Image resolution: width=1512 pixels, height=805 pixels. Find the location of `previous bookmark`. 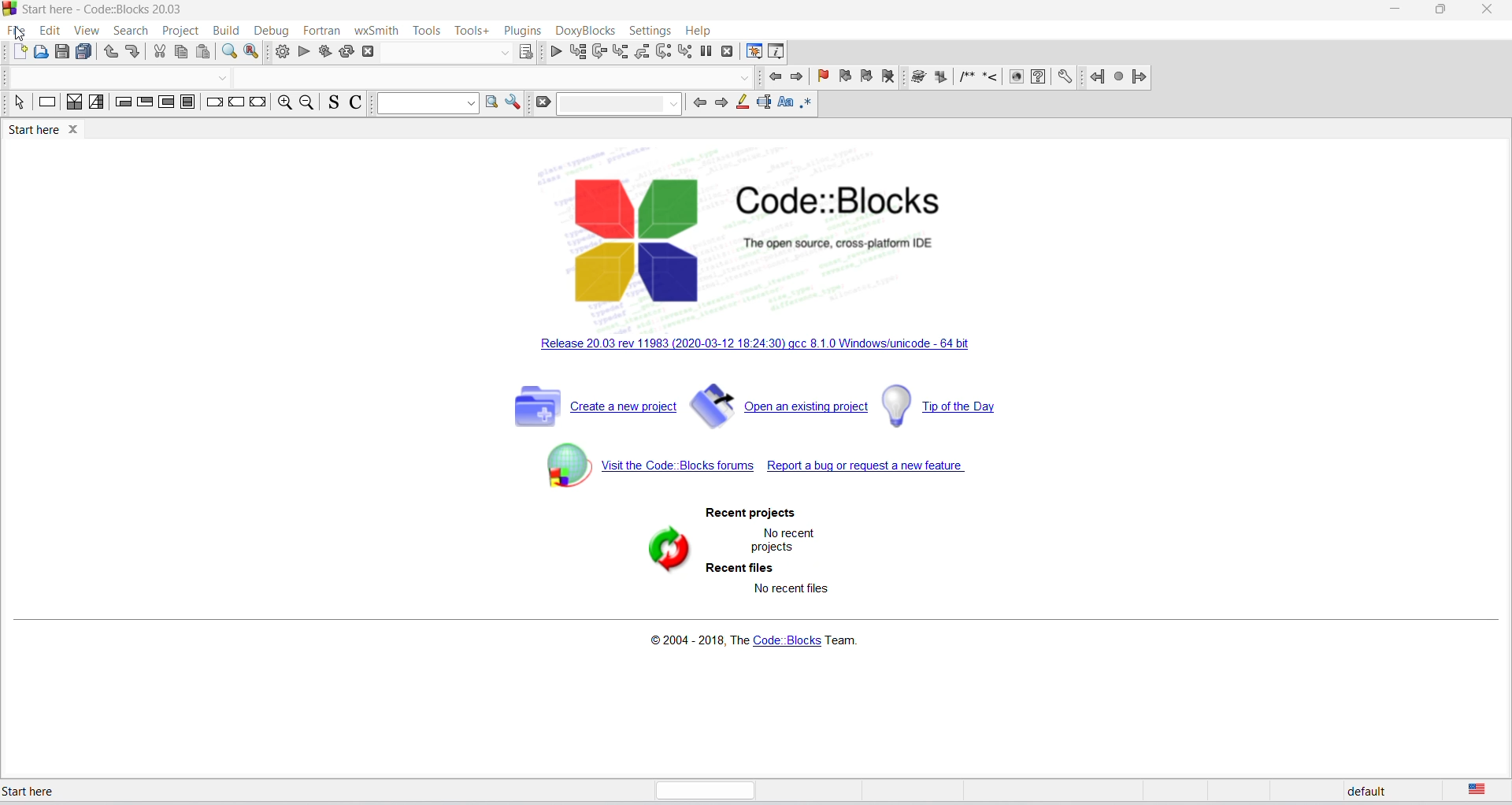

previous bookmark is located at coordinates (844, 78).